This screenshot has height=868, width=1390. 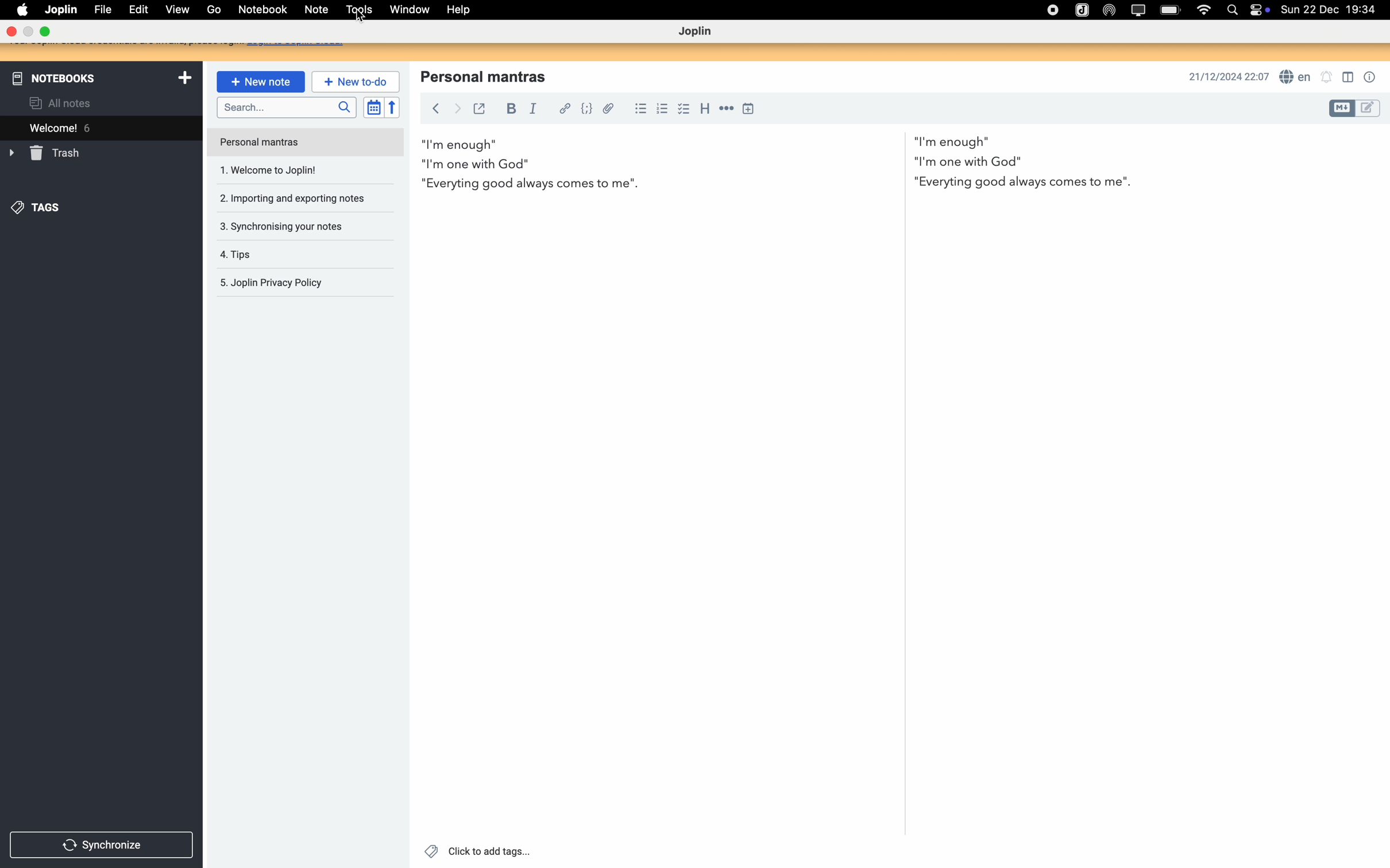 I want to click on stop recording, so click(x=1051, y=11).